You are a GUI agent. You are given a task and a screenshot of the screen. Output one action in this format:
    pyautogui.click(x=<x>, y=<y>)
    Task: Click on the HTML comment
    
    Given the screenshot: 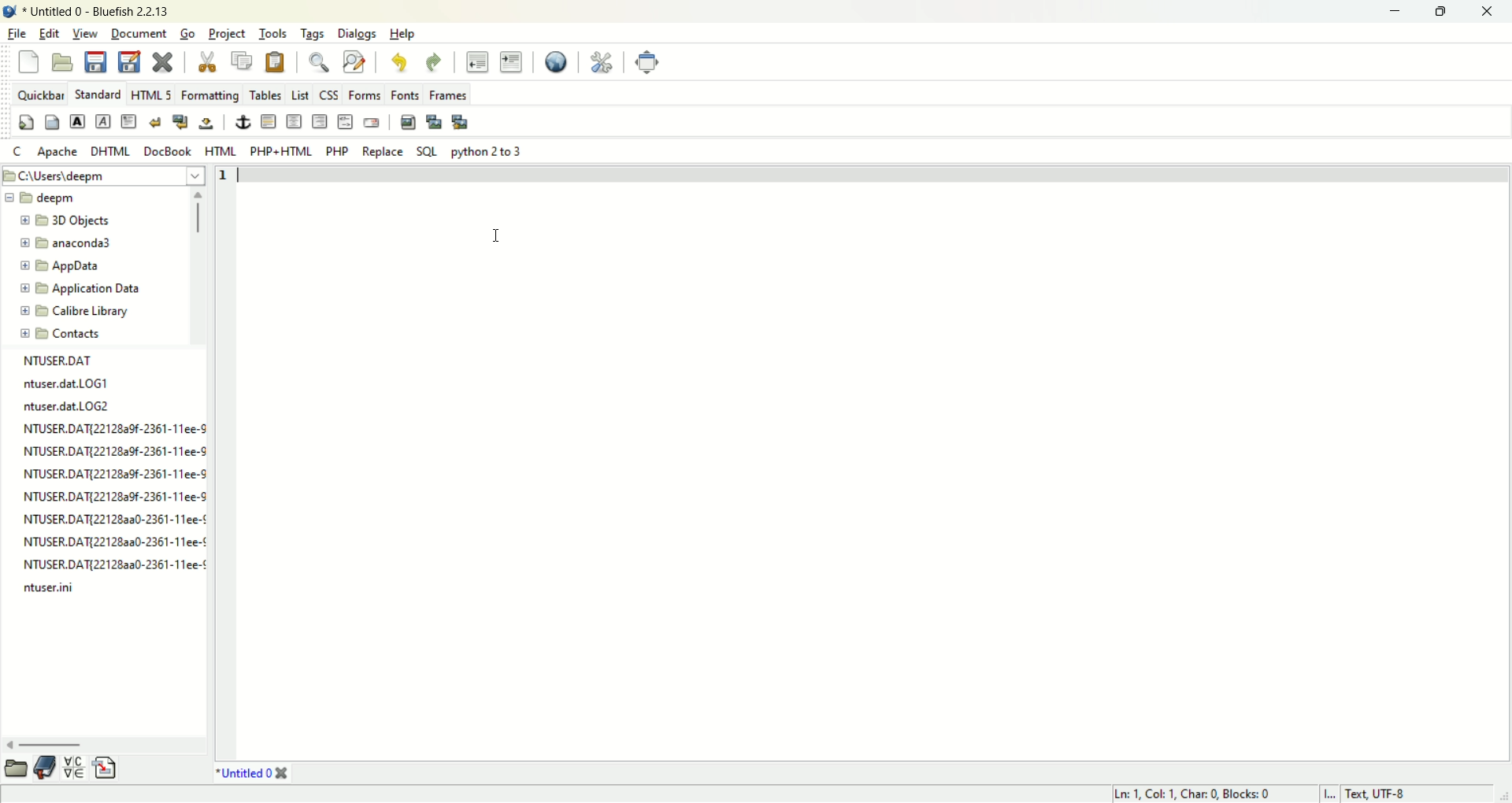 What is the action you would take?
    pyautogui.click(x=346, y=122)
    